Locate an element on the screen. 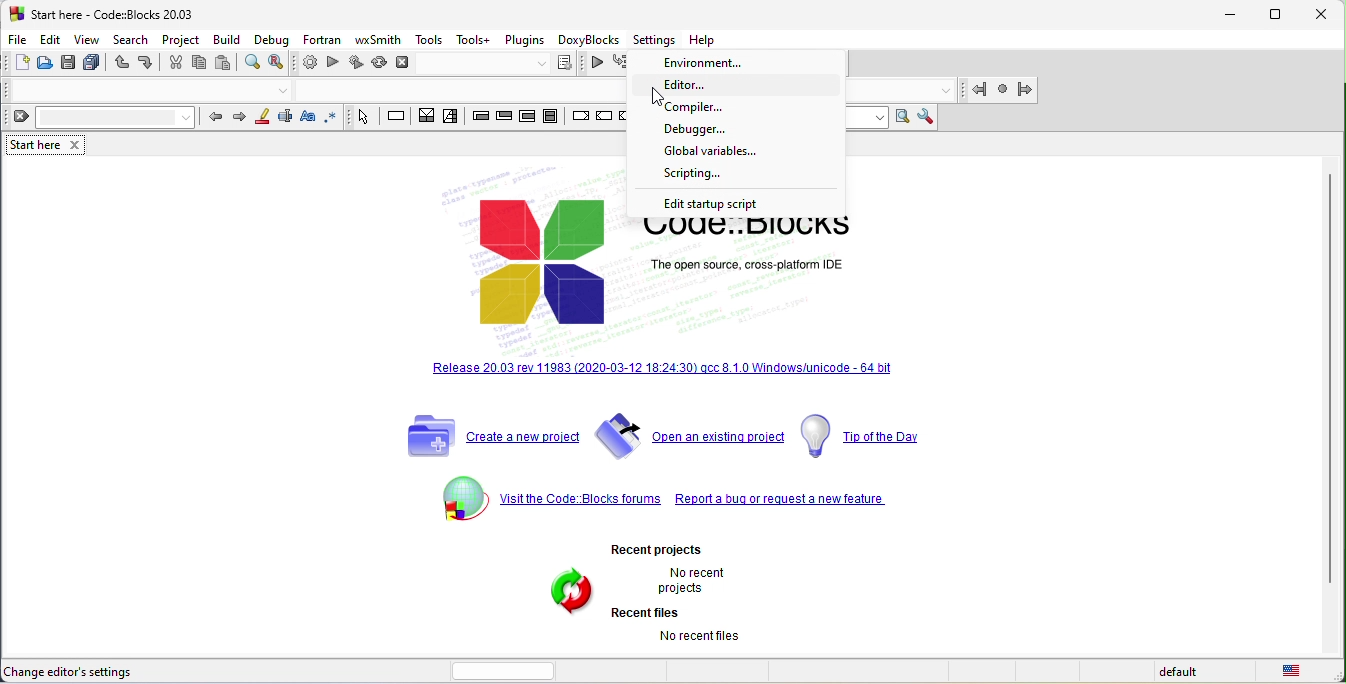  scripting is located at coordinates (716, 175).